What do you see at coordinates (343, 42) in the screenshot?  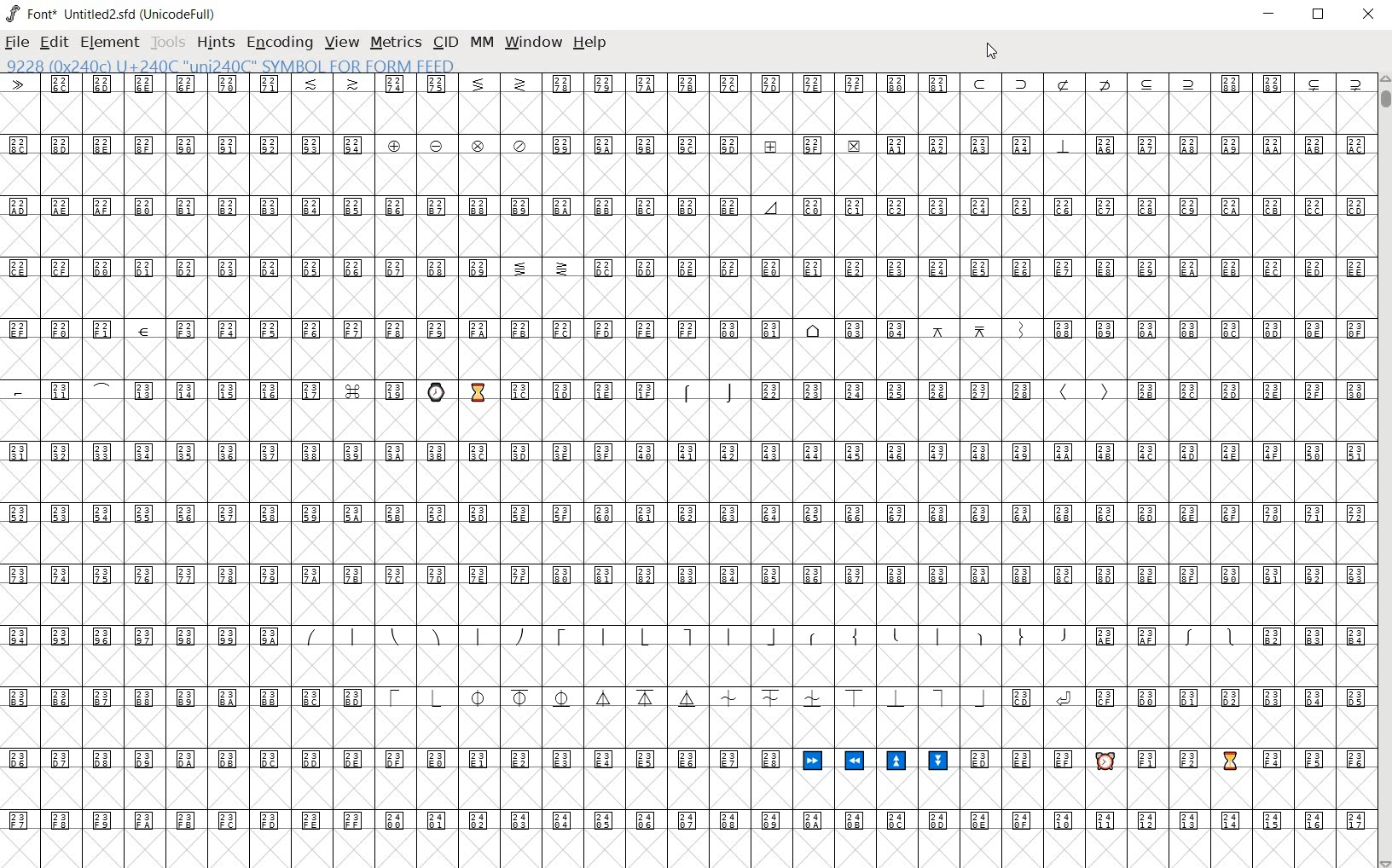 I see `view` at bounding box center [343, 42].